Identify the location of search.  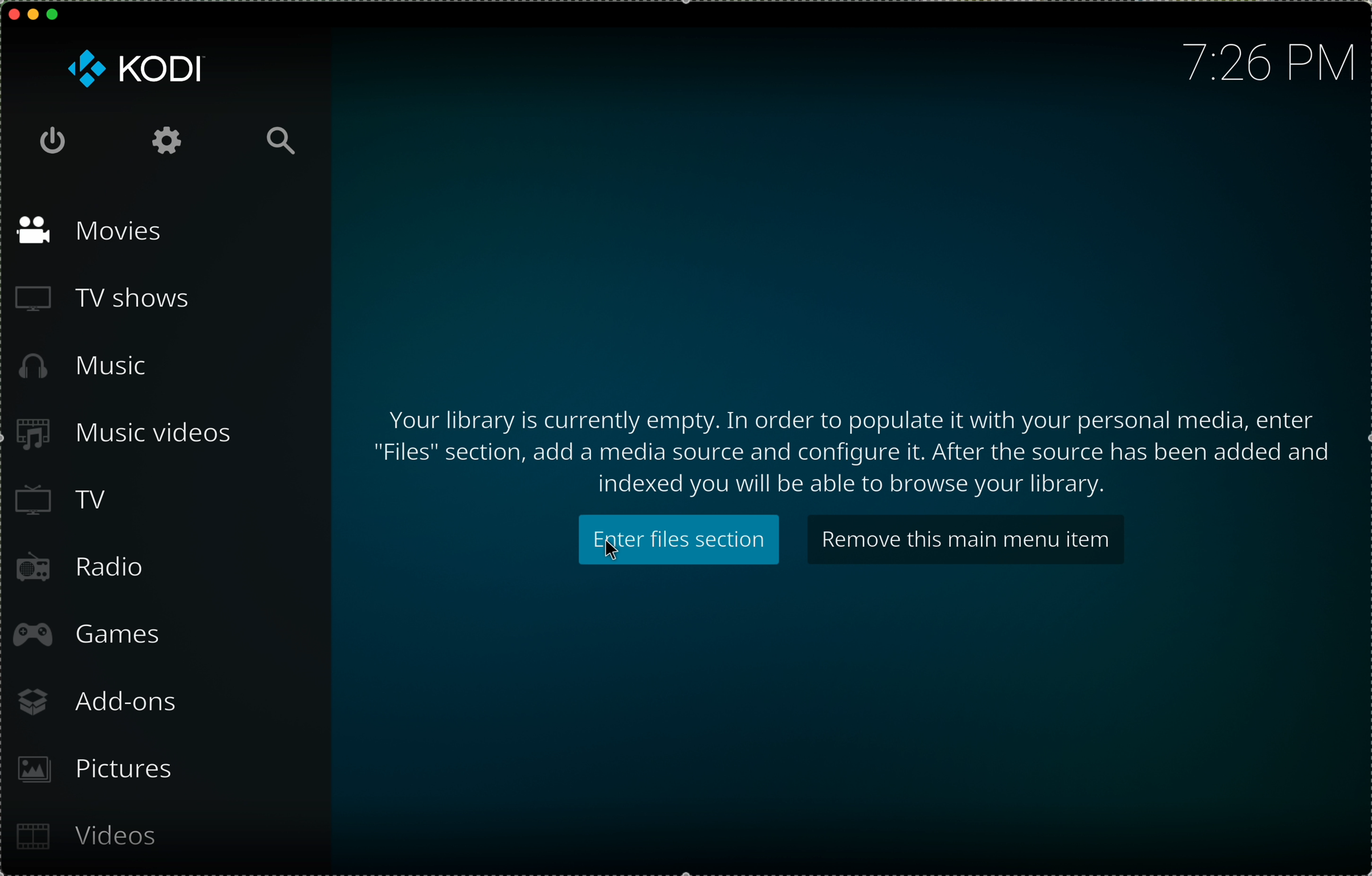
(281, 141).